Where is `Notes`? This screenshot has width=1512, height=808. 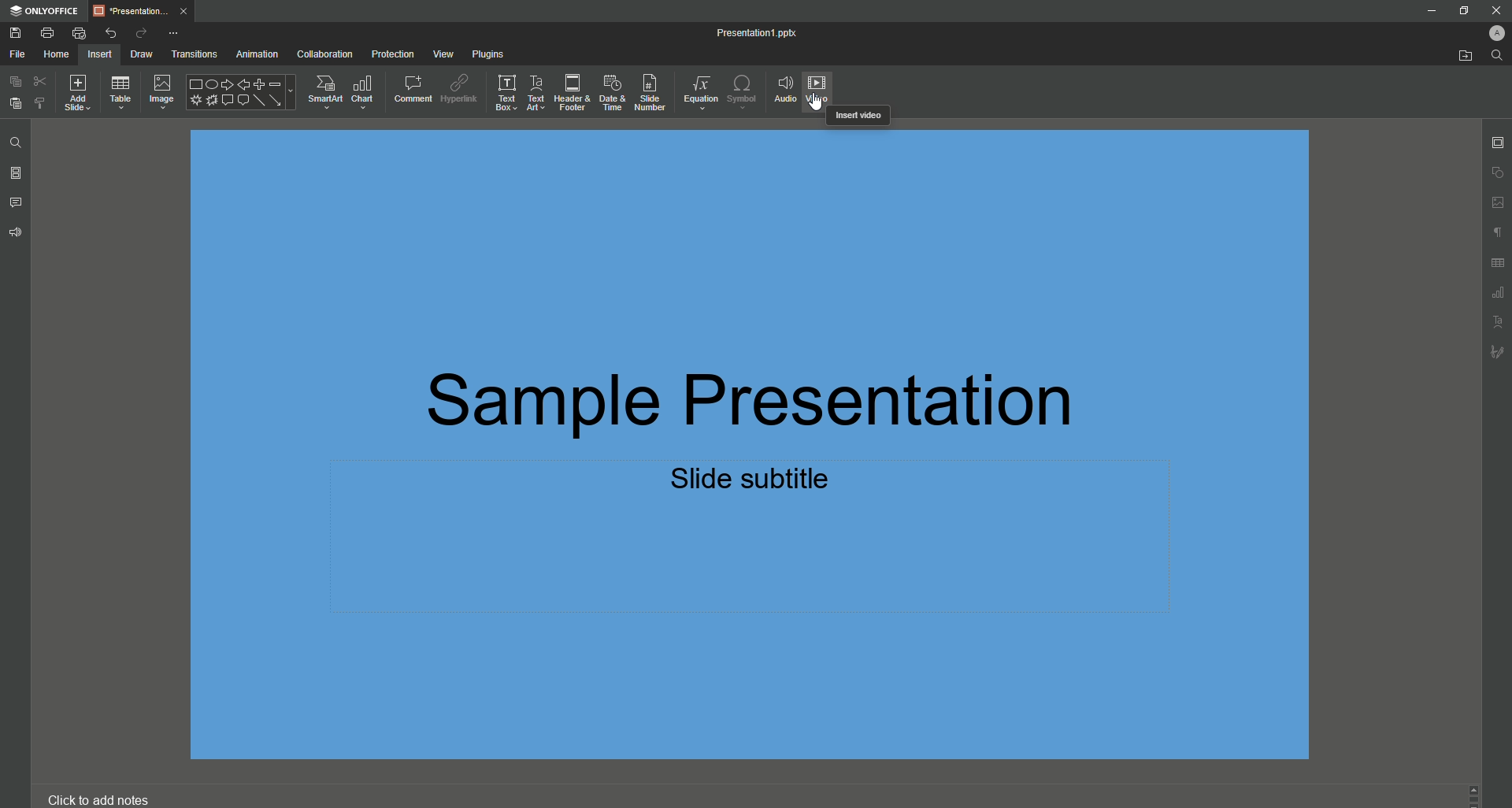 Notes is located at coordinates (100, 799).